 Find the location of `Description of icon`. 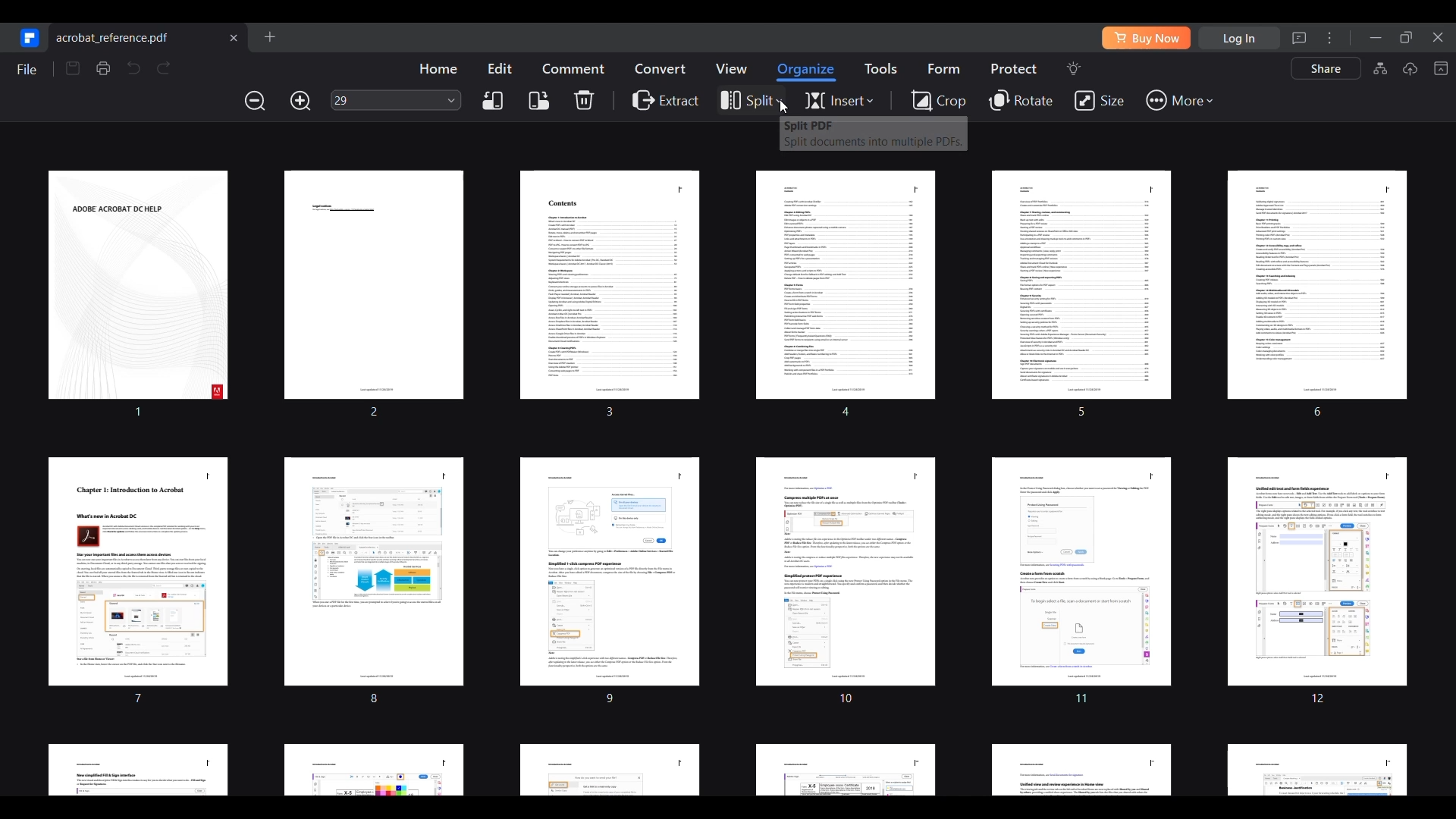

Description of icon is located at coordinates (873, 133).